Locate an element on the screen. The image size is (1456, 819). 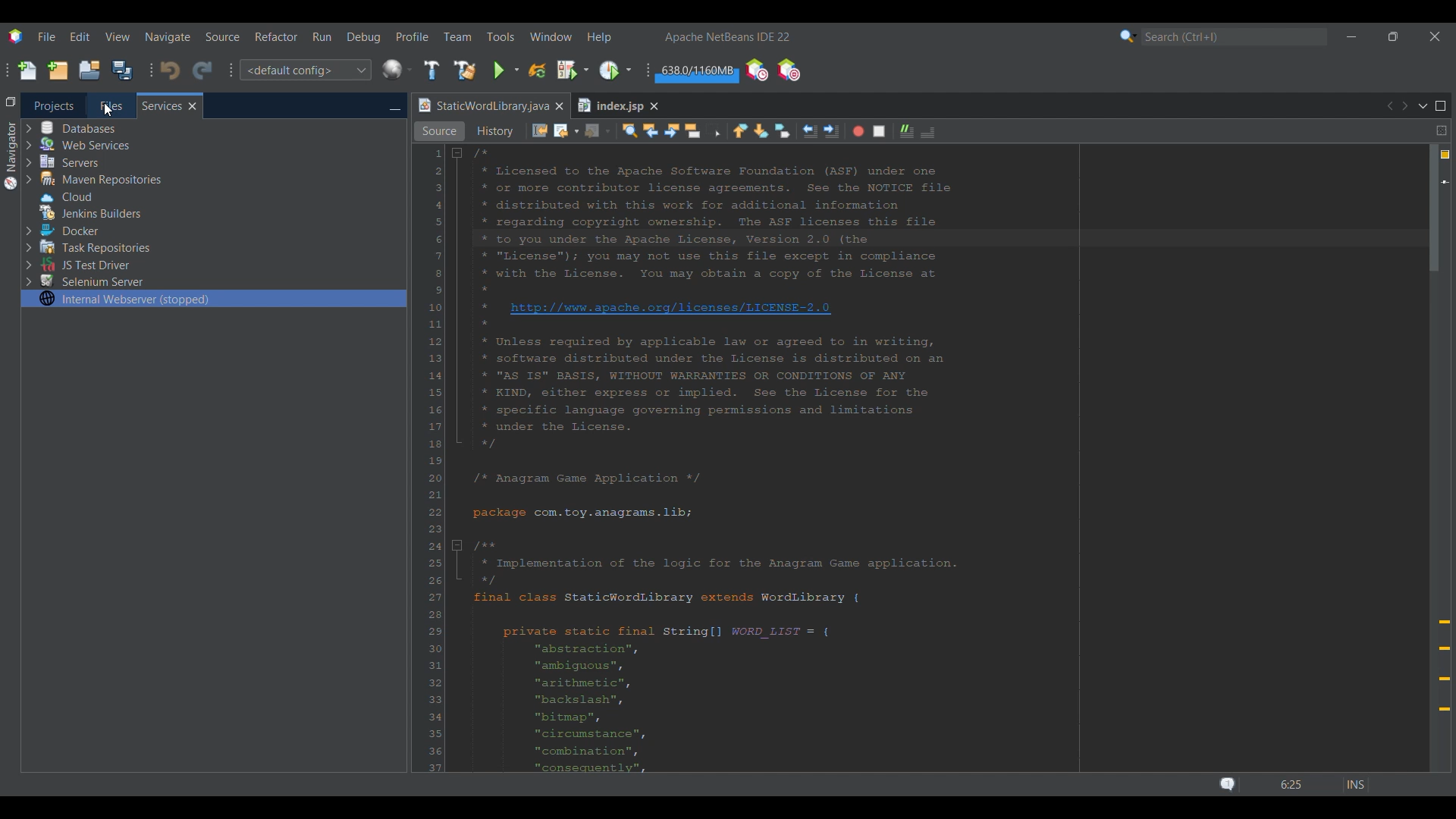
Restore window group is located at coordinates (11, 101).